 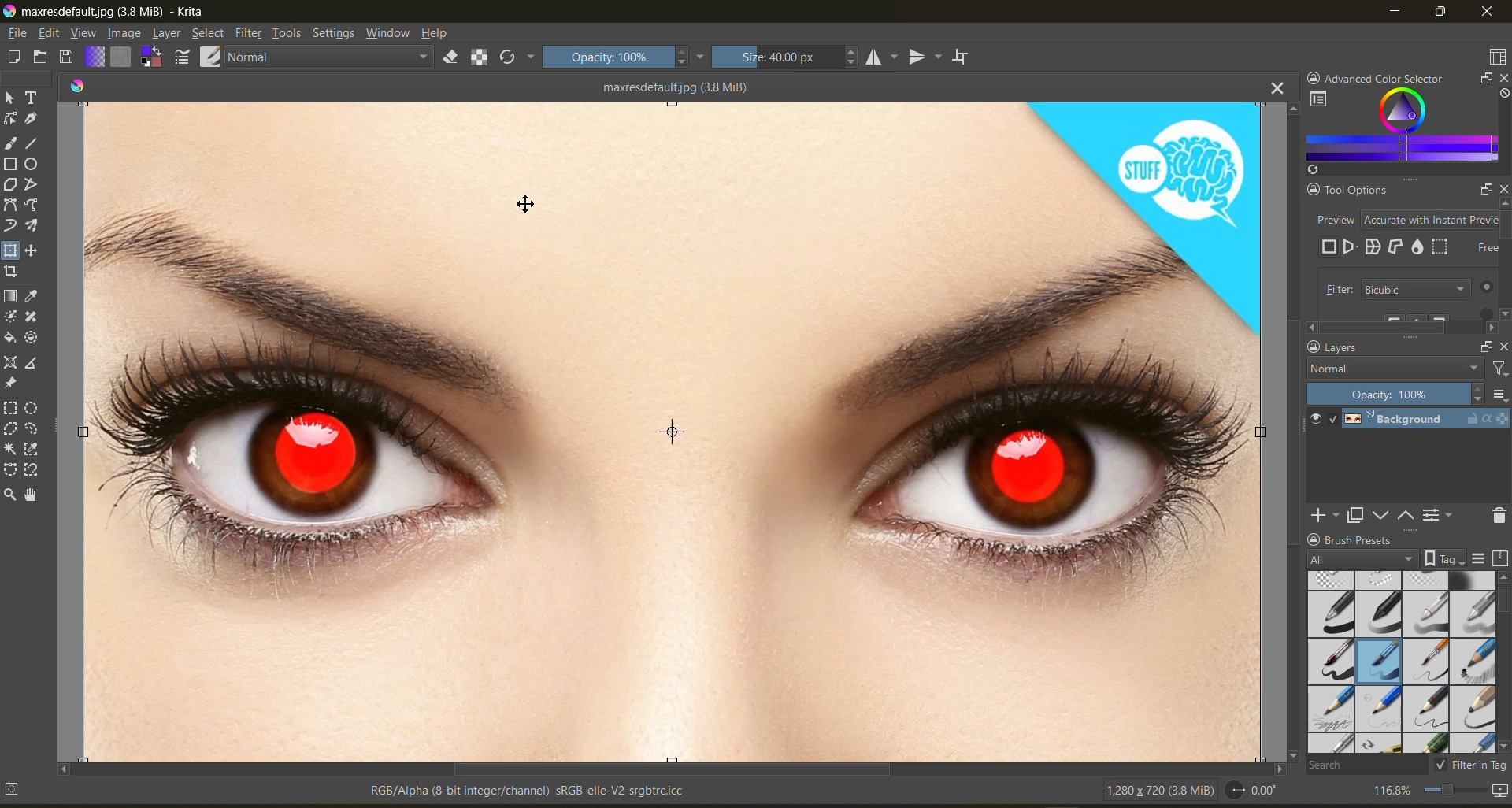 What do you see at coordinates (1496, 516) in the screenshot?
I see `delete the layer` at bounding box center [1496, 516].